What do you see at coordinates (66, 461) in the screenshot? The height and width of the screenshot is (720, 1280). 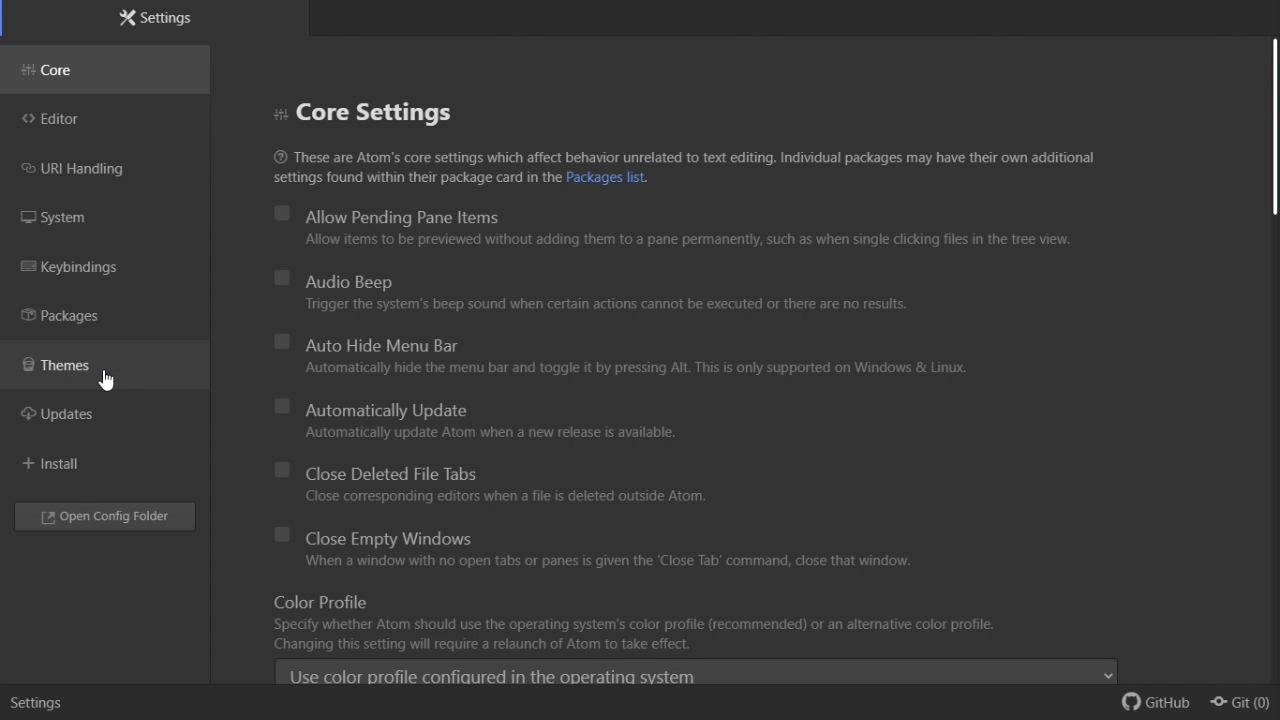 I see `Install` at bounding box center [66, 461].